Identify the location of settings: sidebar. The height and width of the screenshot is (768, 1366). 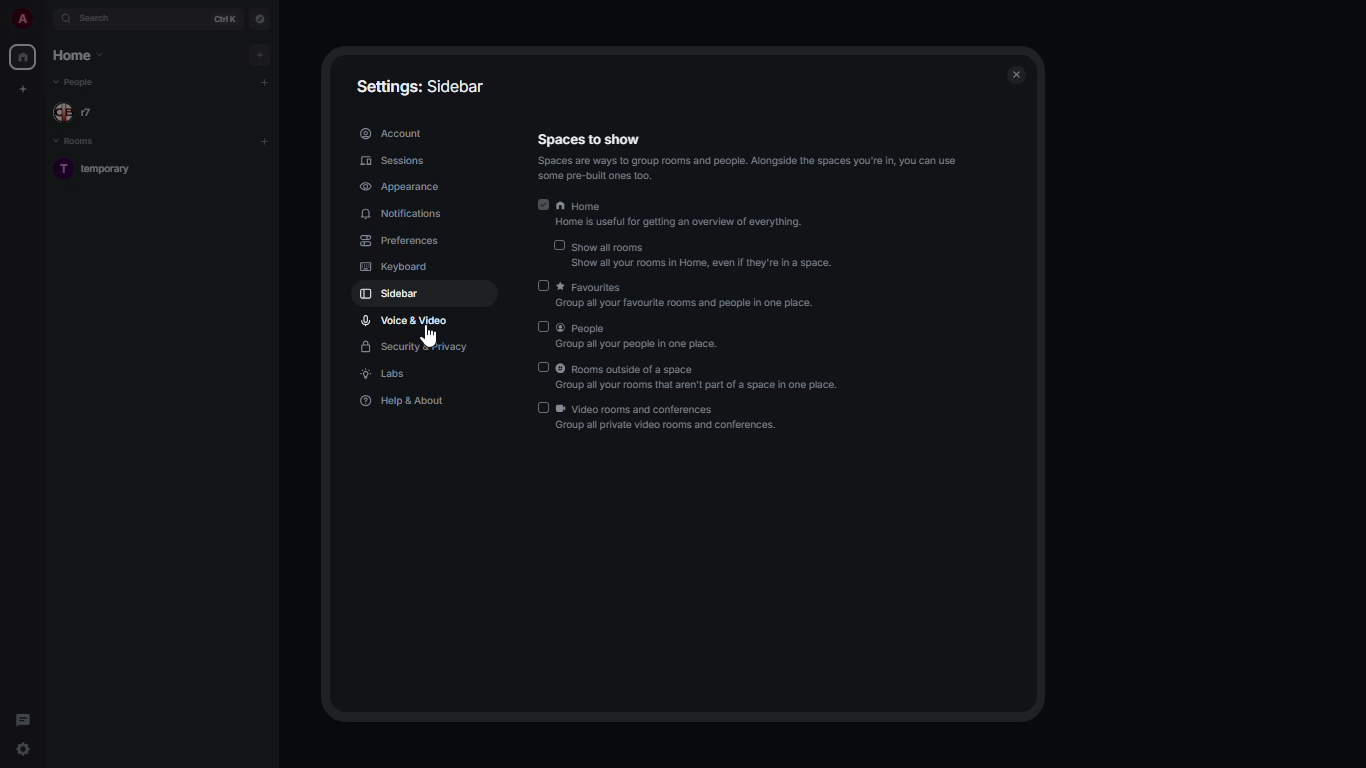
(422, 88).